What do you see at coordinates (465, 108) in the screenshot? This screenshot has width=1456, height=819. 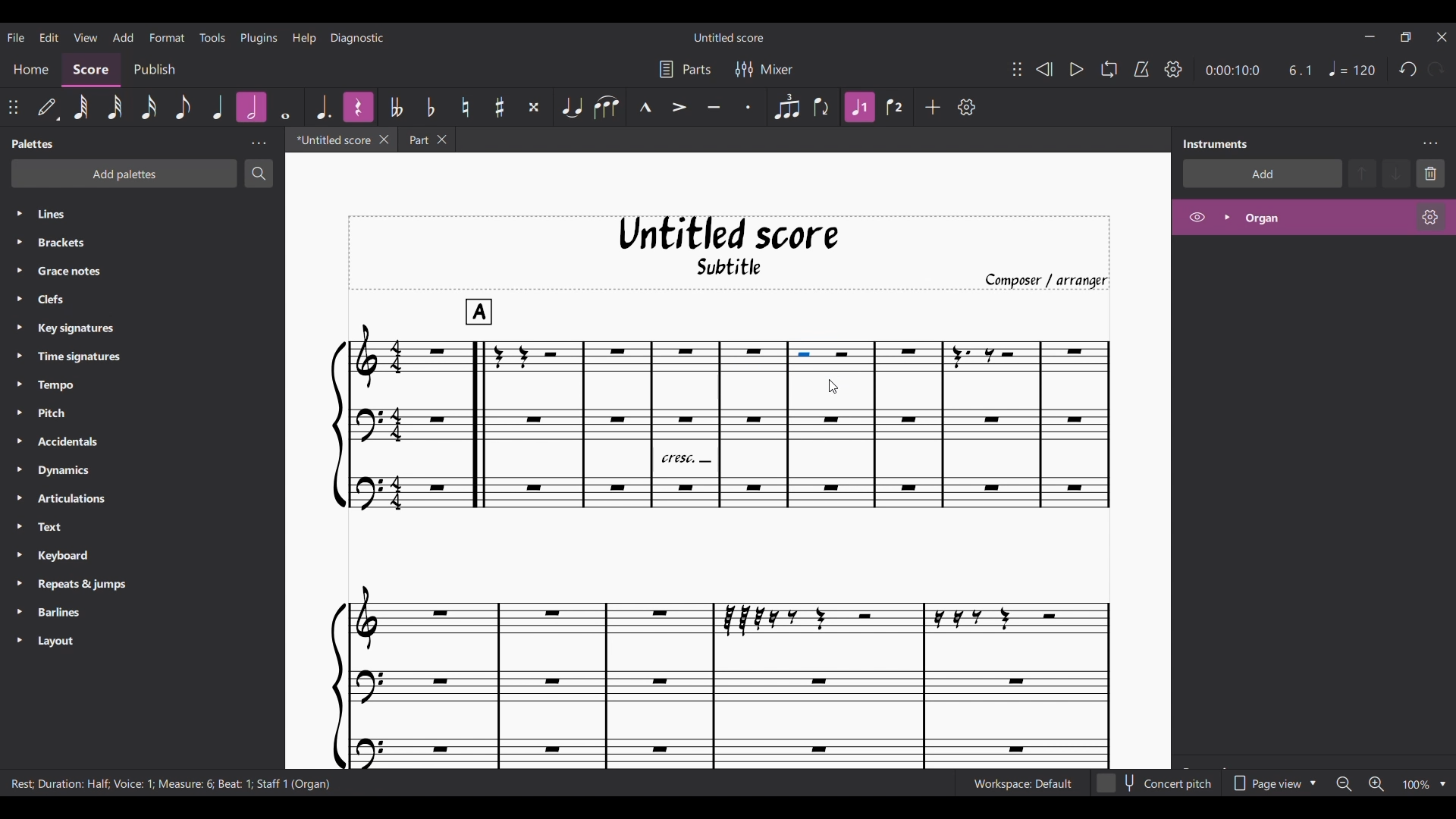 I see `Toggle natural` at bounding box center [465, 108].